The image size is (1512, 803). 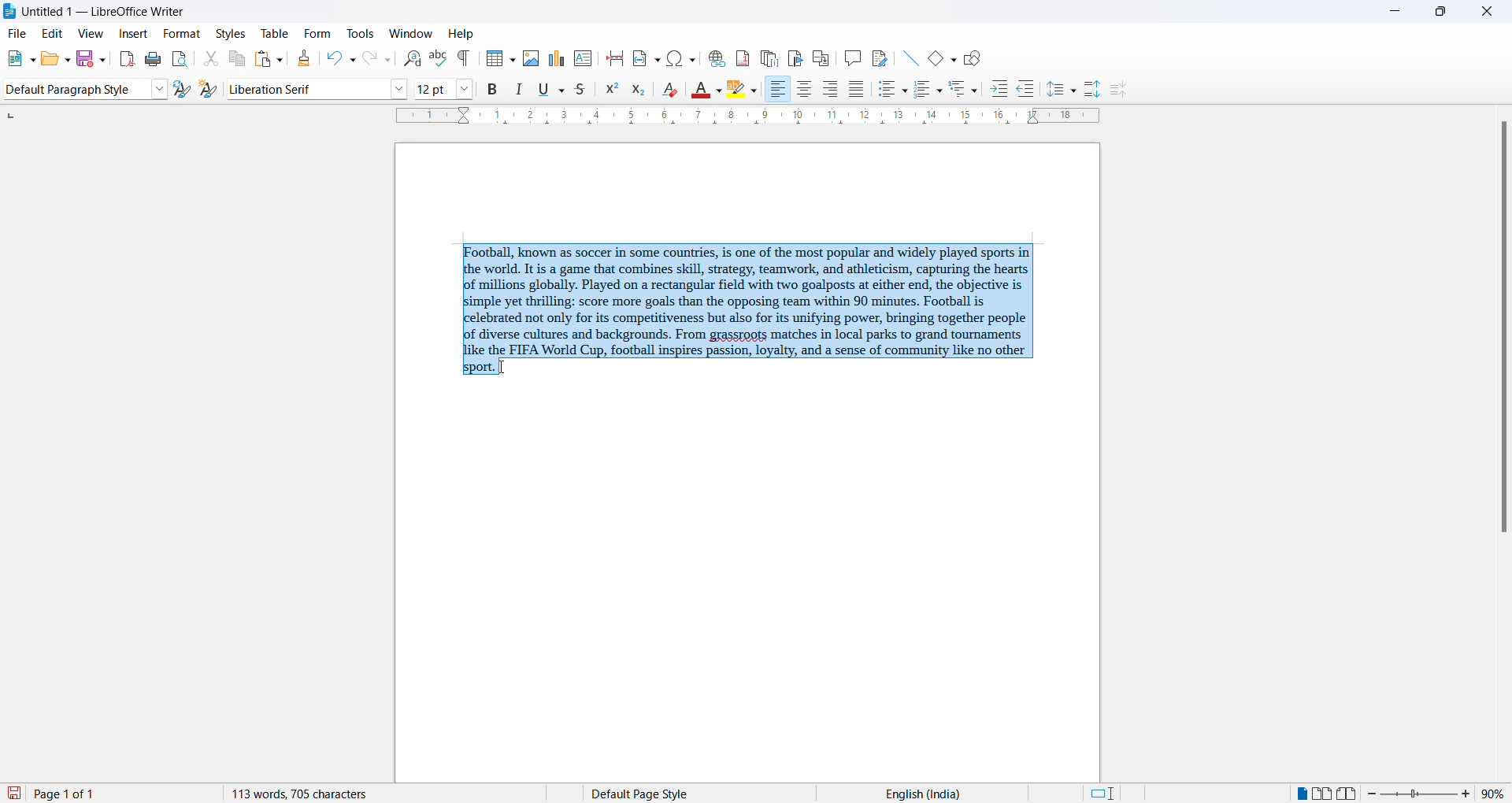 I want to click on decrease zoom, so click(x=1373, y=794).